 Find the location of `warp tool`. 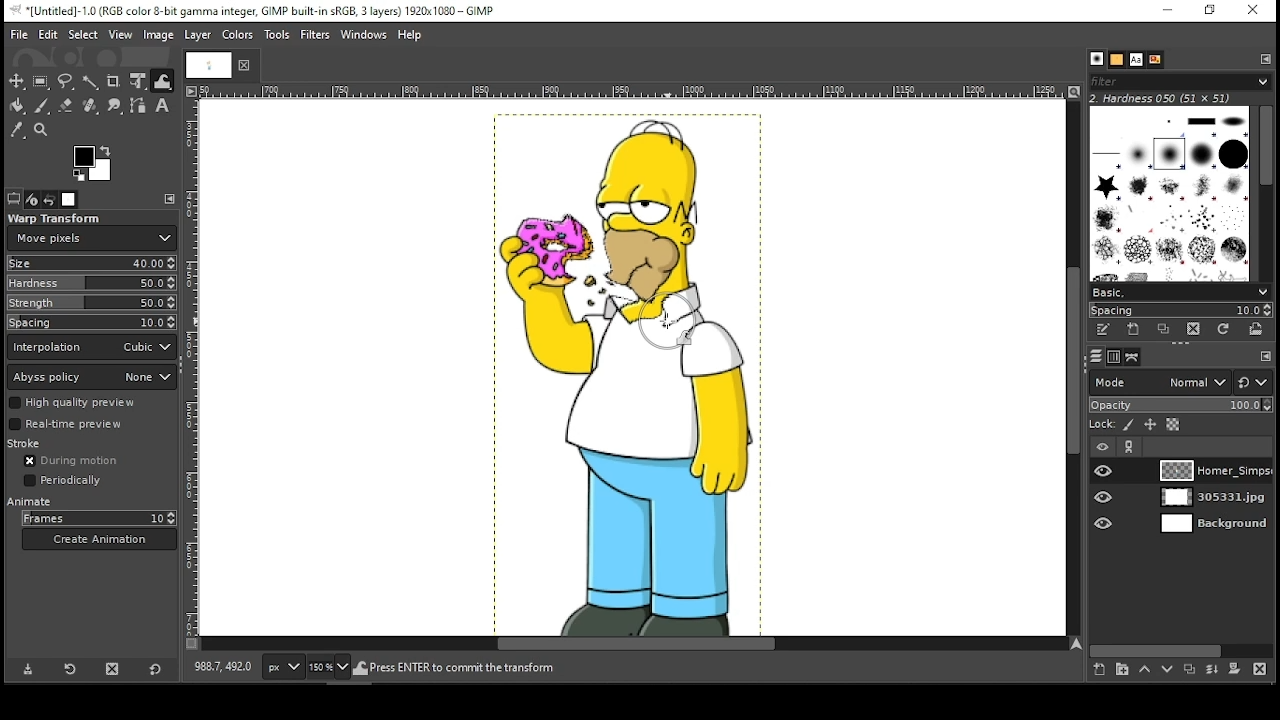

warp tool is located at coordinates (162, 82).